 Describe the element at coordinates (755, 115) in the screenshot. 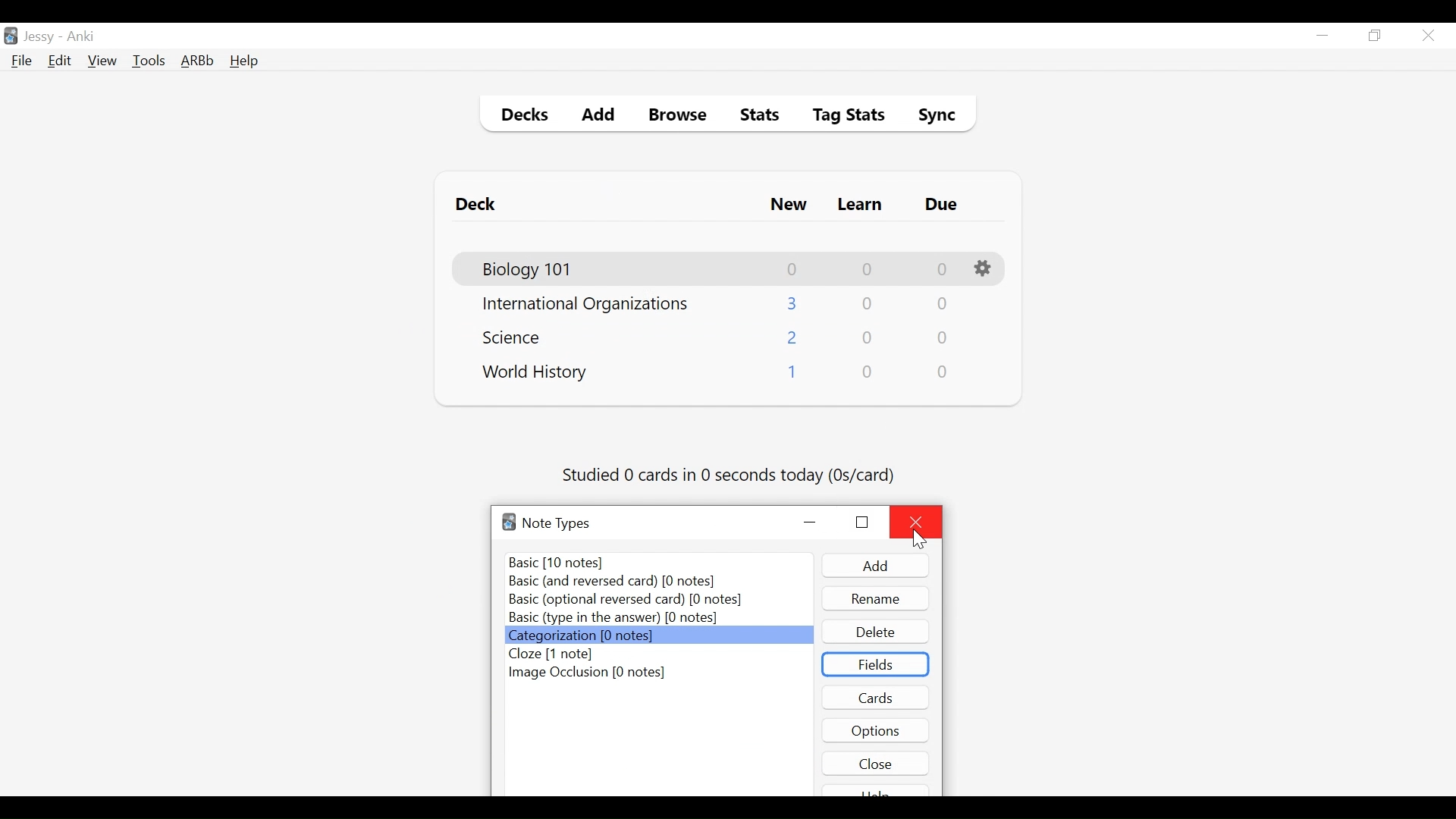

I see `Stats` at that location.